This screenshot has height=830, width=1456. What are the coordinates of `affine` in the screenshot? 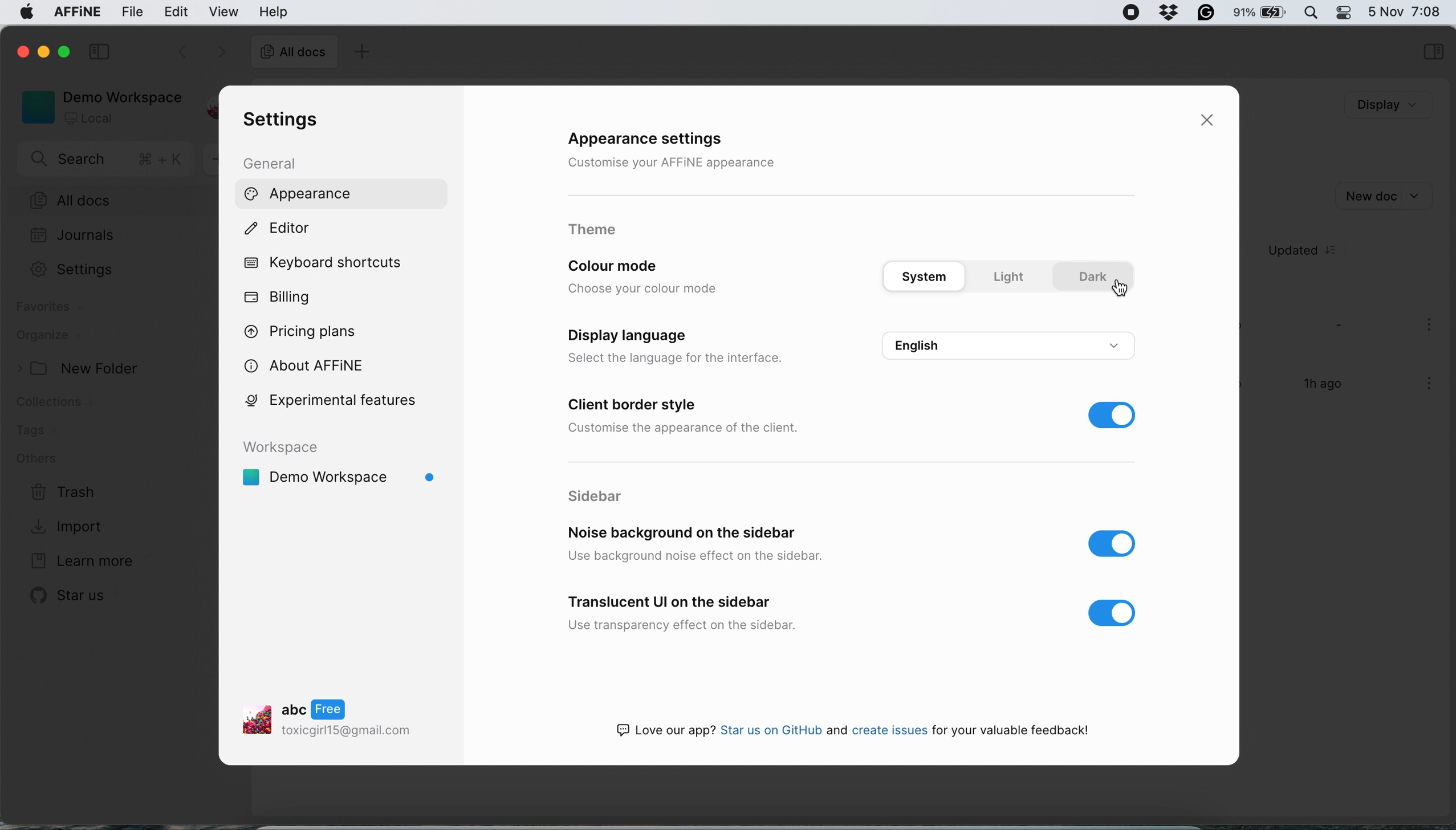 It's located at (76, 13).